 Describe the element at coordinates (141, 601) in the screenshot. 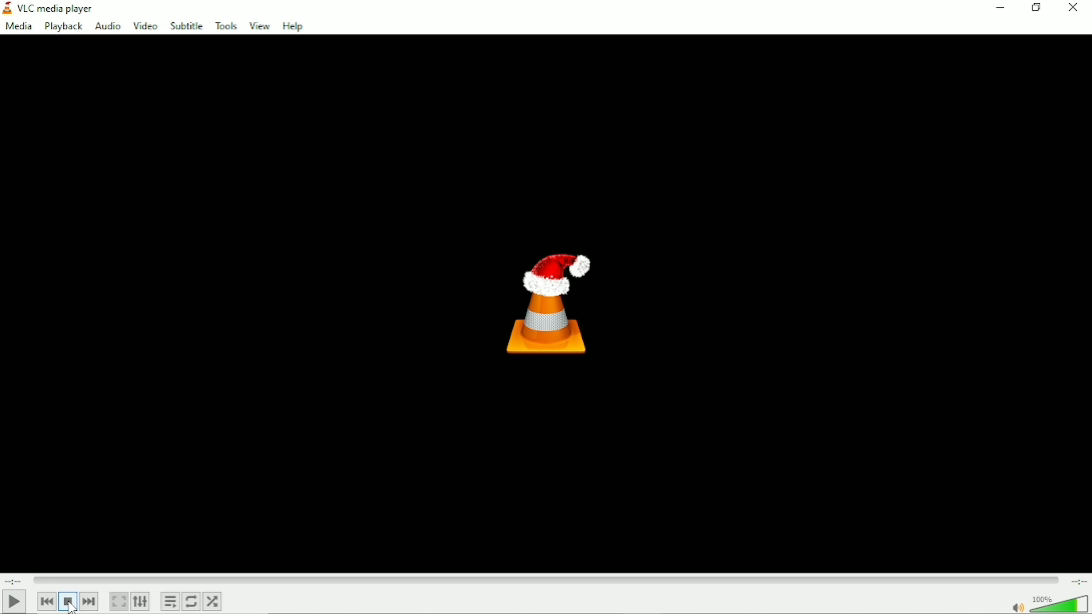

I see `Show extended settings` at that location.